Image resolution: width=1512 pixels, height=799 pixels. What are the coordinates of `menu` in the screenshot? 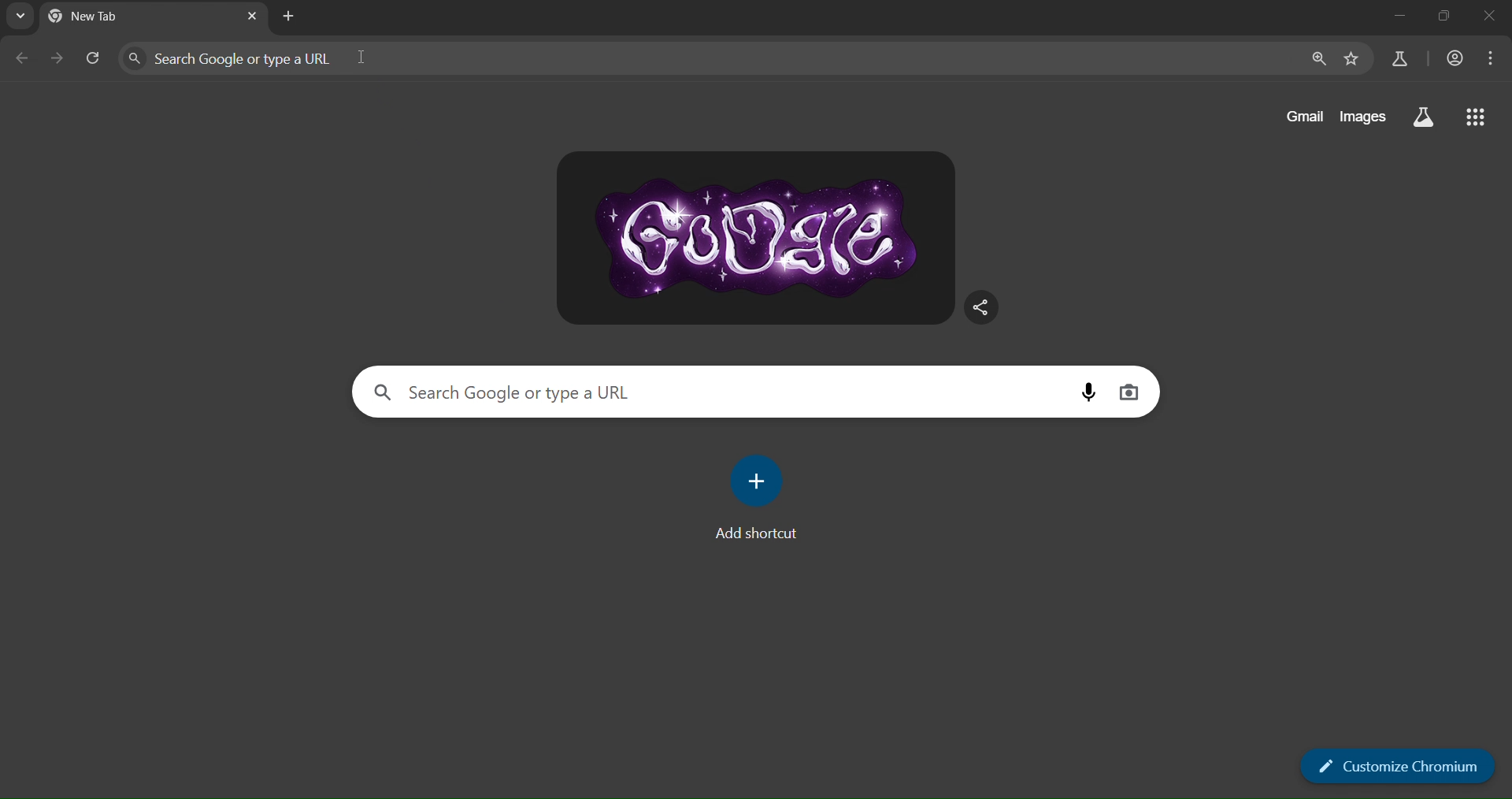 It's located at (1492, 58).